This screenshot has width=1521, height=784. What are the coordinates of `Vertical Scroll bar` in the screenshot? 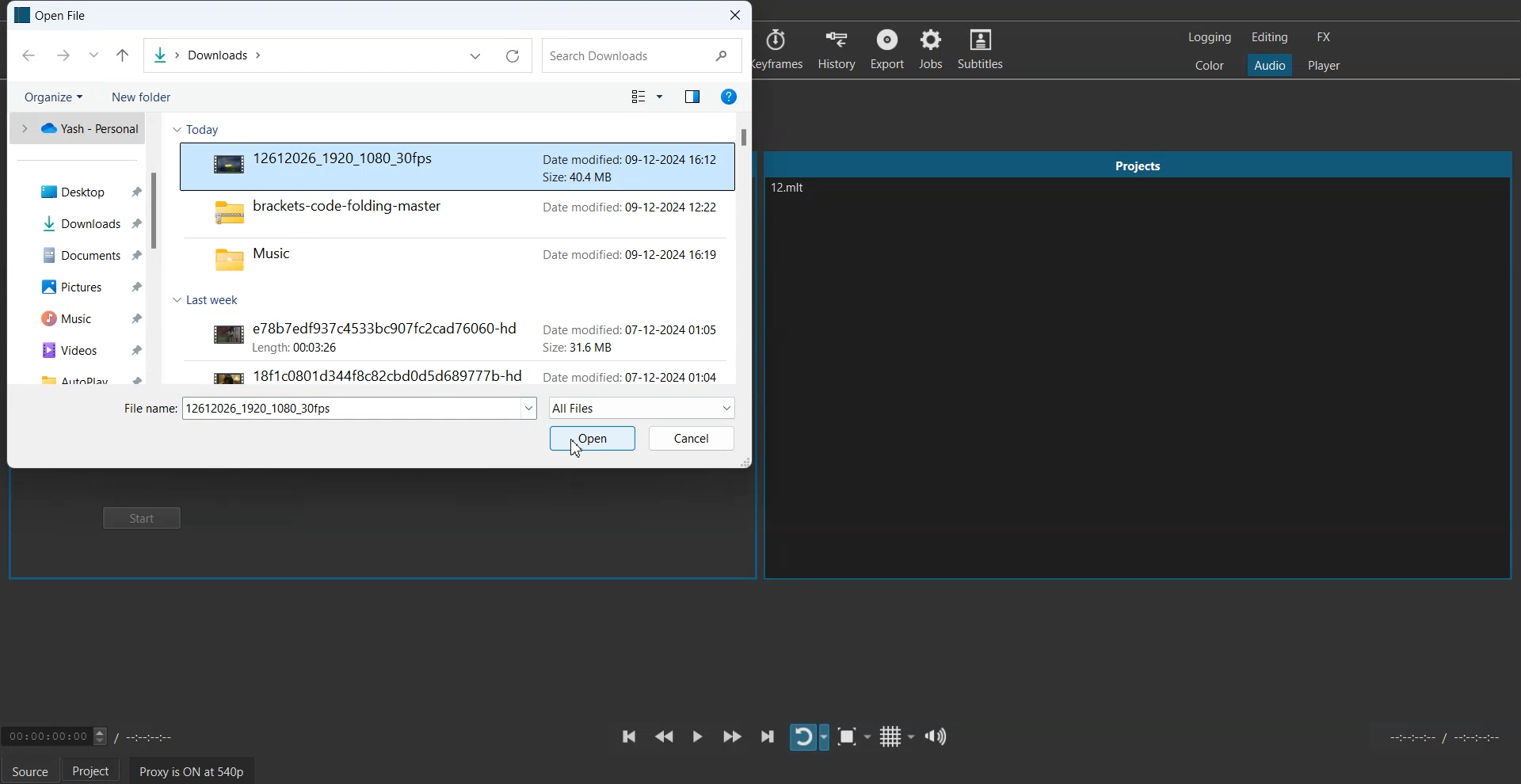 It's located at (157, 249).